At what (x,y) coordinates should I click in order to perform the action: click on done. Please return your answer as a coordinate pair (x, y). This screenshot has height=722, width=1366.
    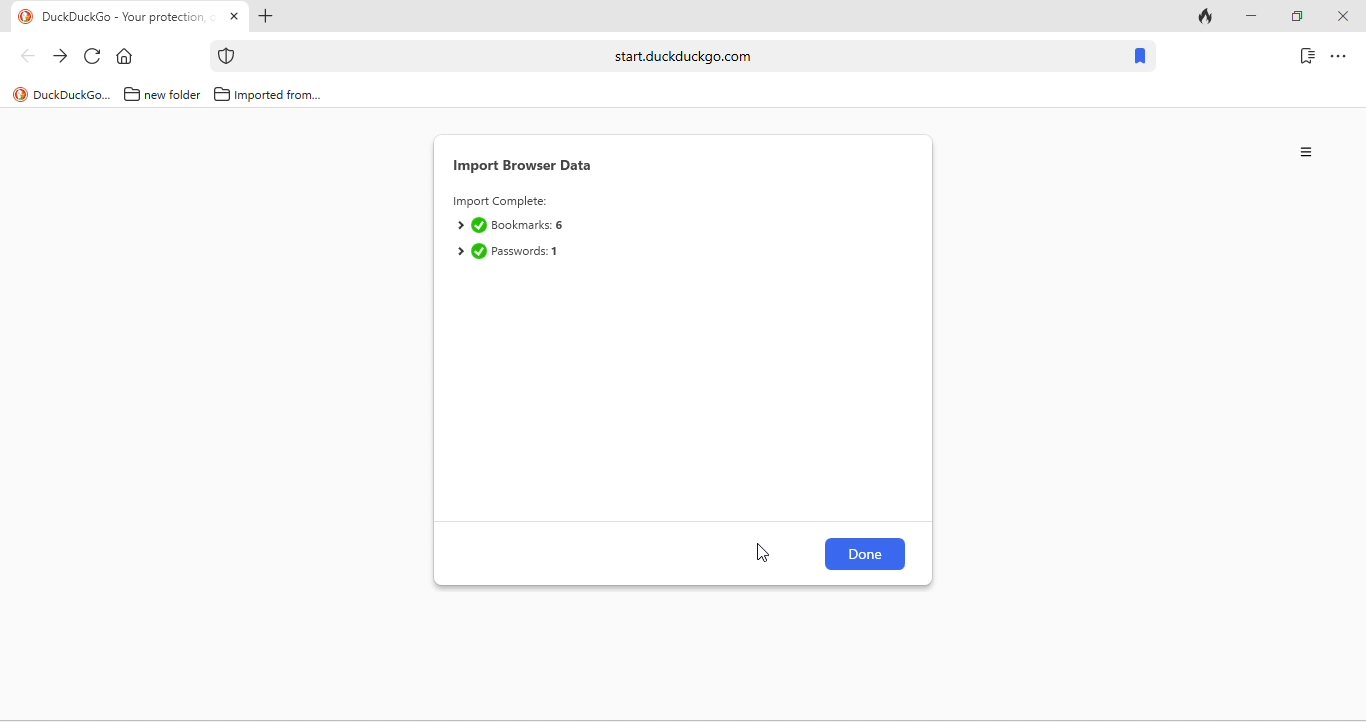
    Looking at the image, I should click on (479, 251).